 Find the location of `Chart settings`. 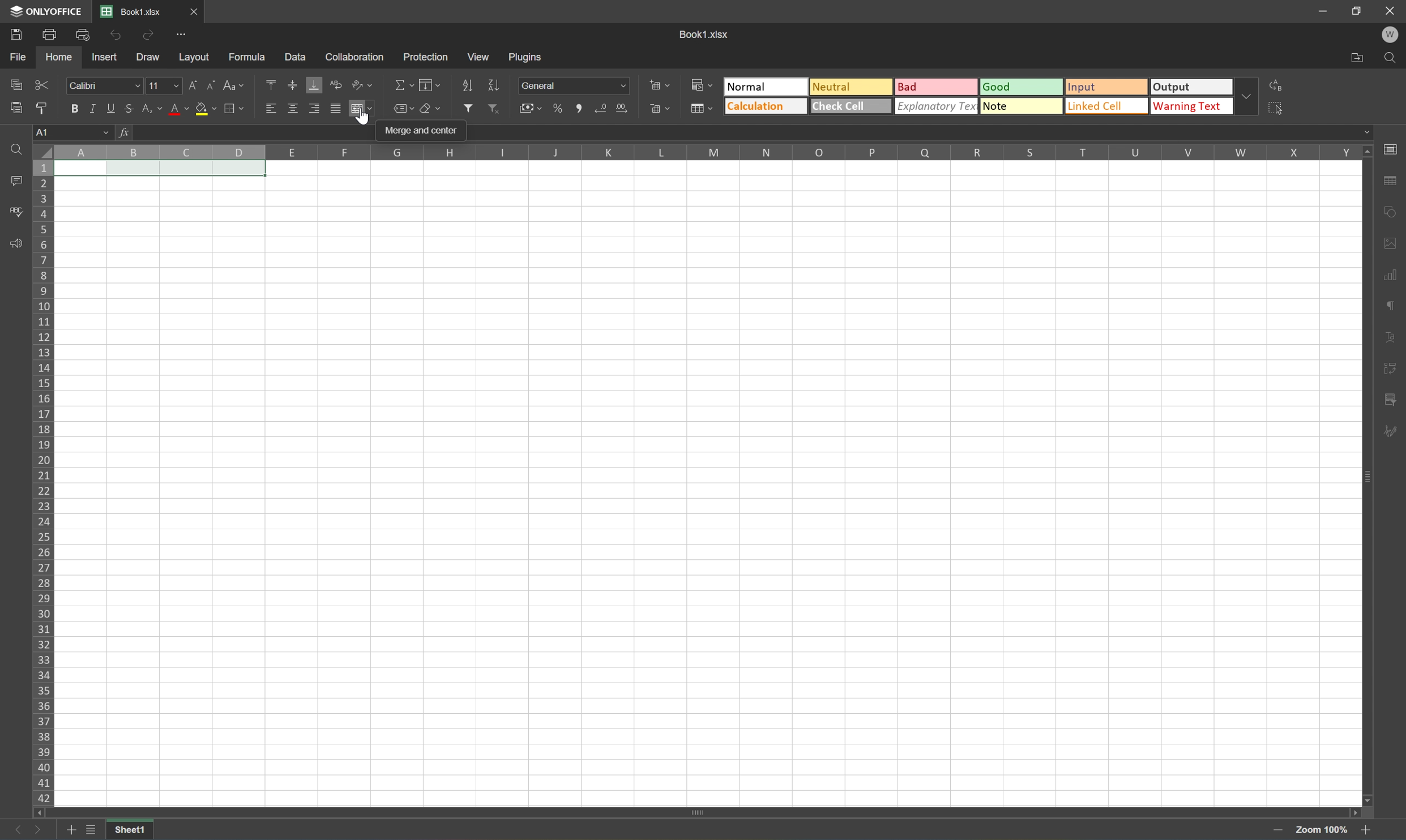

Chart settings is located at coordinates (1388, 275).